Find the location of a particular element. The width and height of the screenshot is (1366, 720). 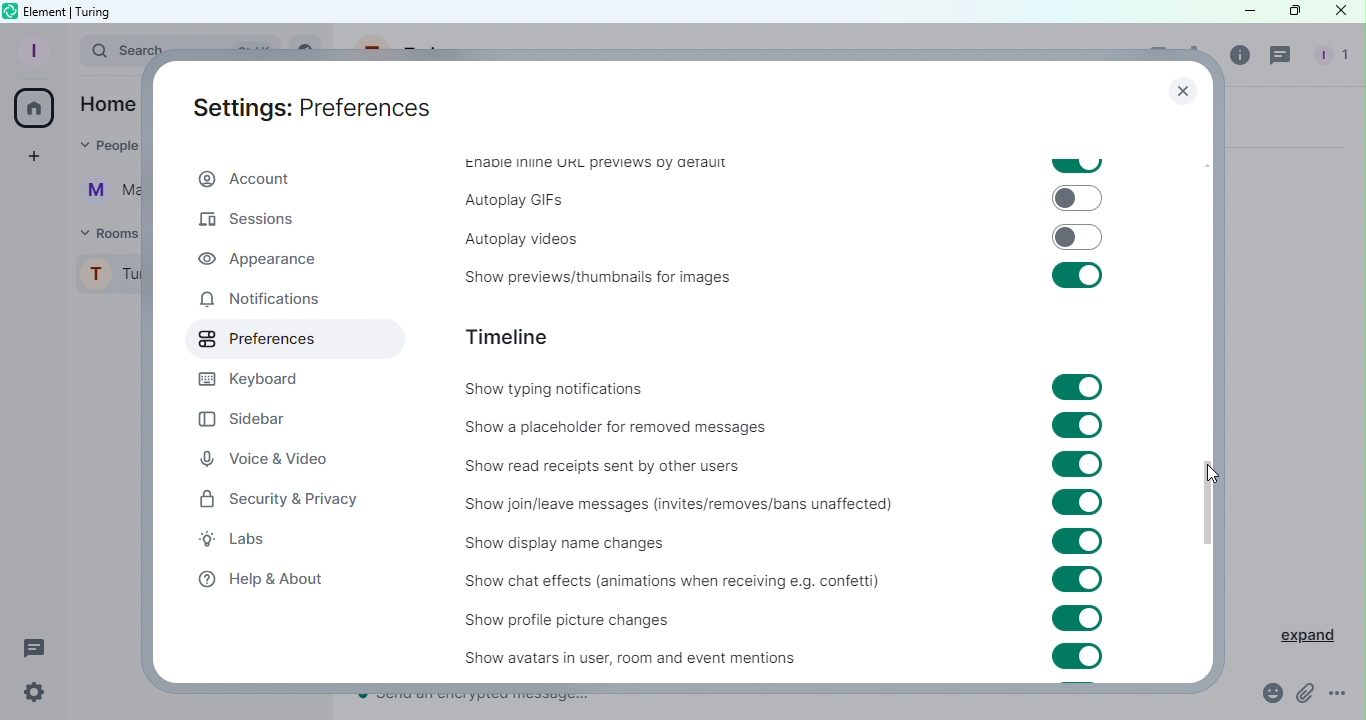

More Options is located at coordinates (1340, 694).